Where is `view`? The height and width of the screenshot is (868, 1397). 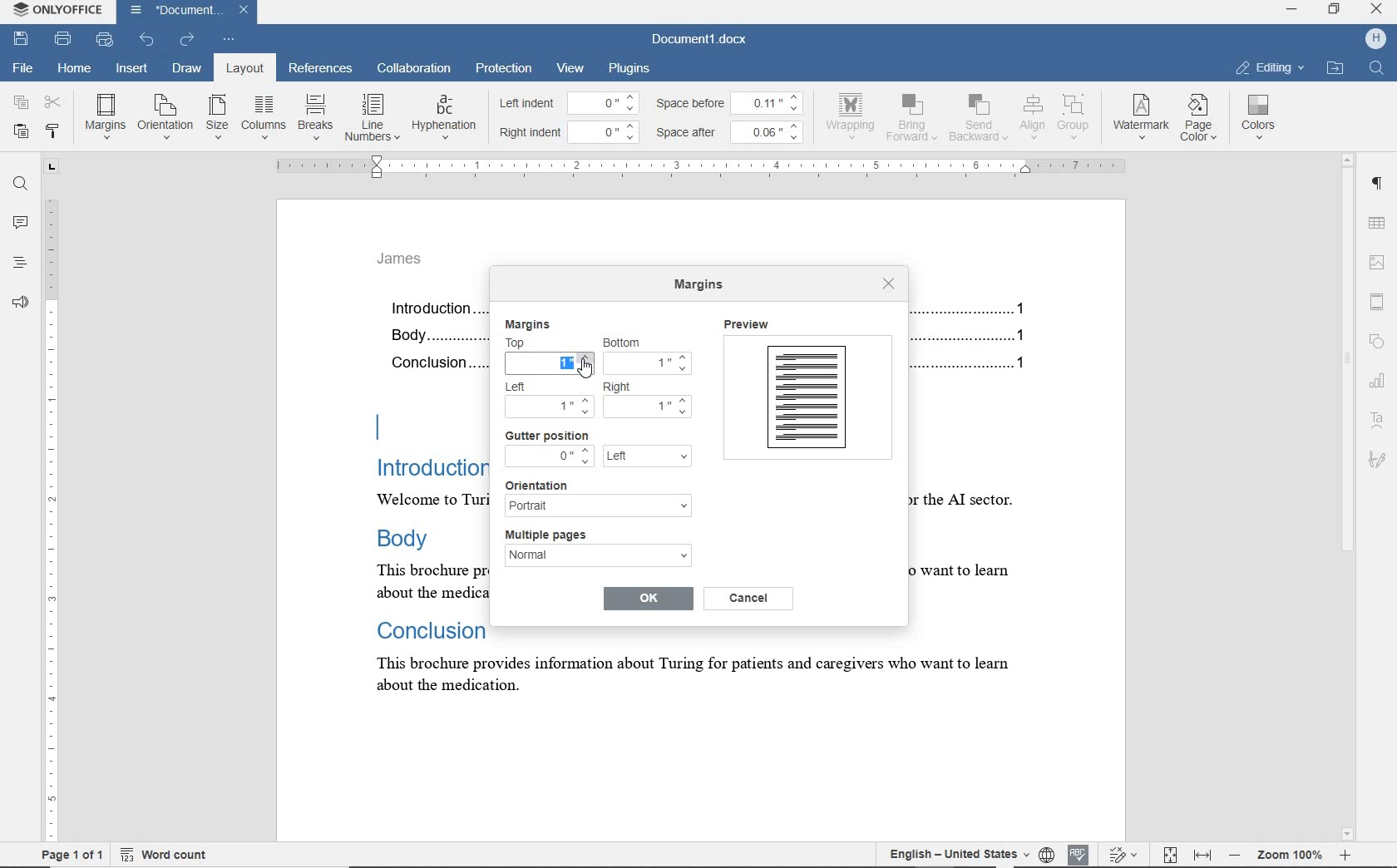
view is located at coordinates (570, 68).